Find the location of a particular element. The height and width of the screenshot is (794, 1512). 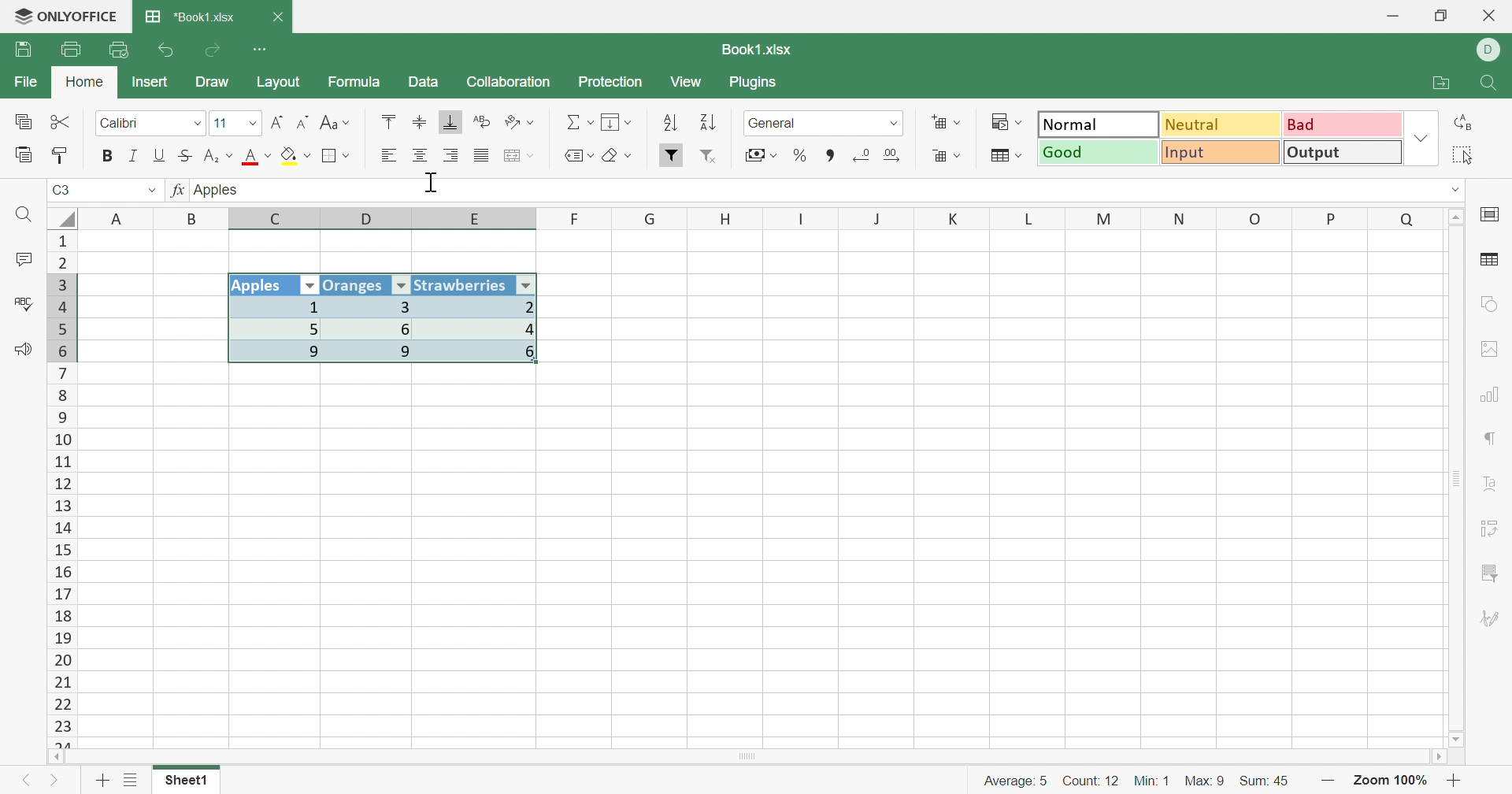

Fill color is located at coordinates (295, 158).